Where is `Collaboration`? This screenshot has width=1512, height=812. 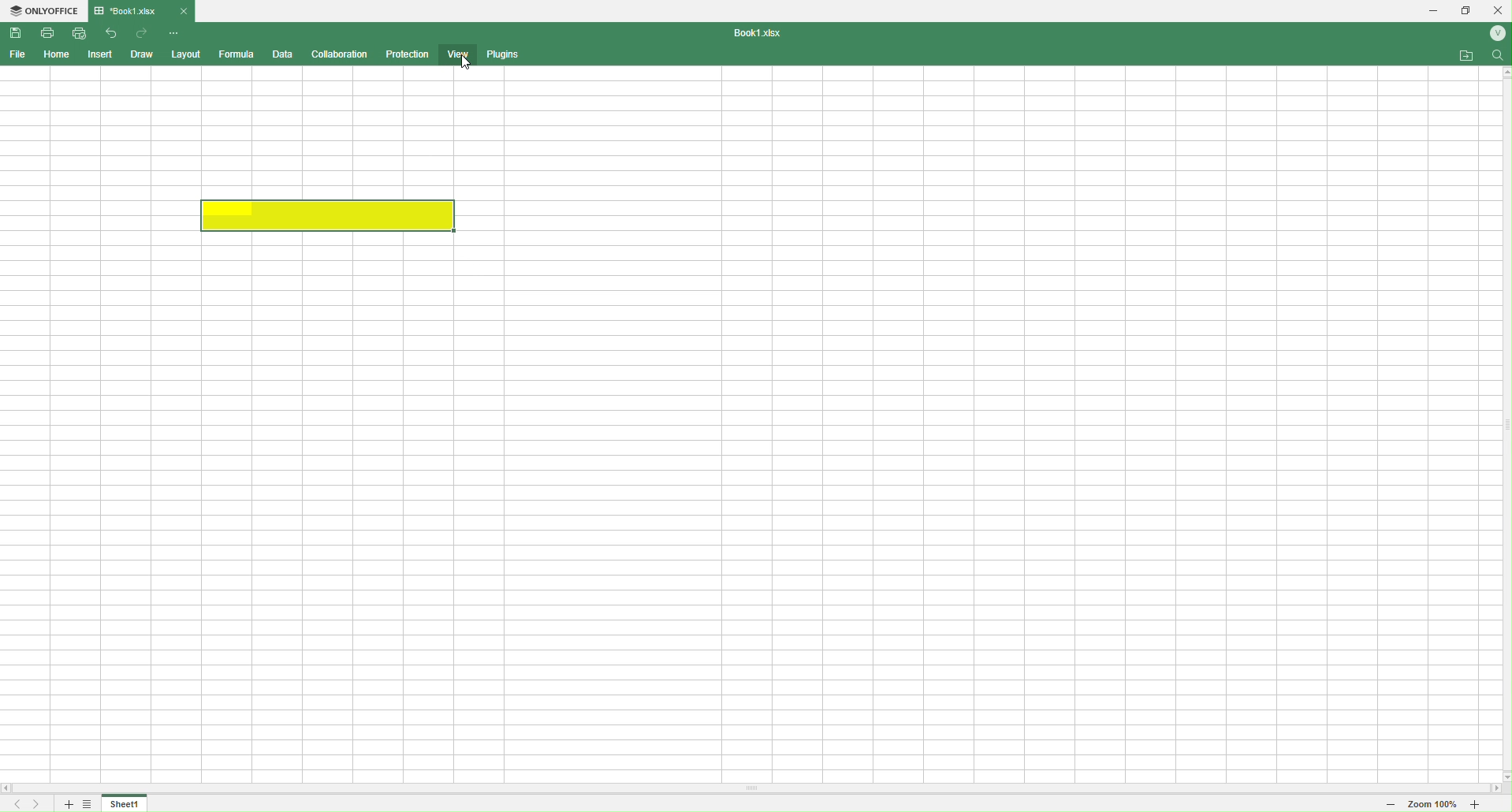
Collaboration is located at coordinates (337, 54).